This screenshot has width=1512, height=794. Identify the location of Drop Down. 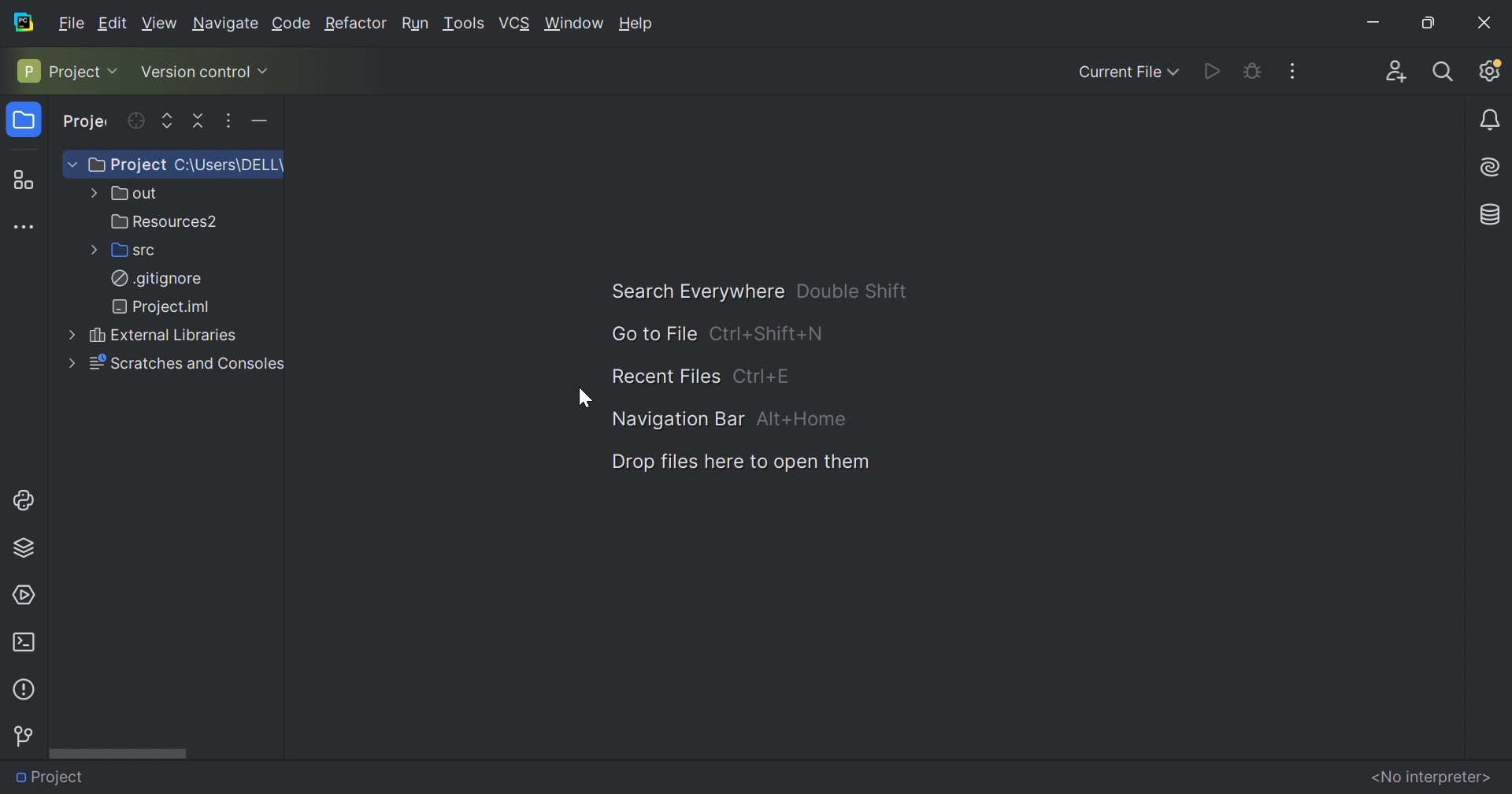
(117, 70).